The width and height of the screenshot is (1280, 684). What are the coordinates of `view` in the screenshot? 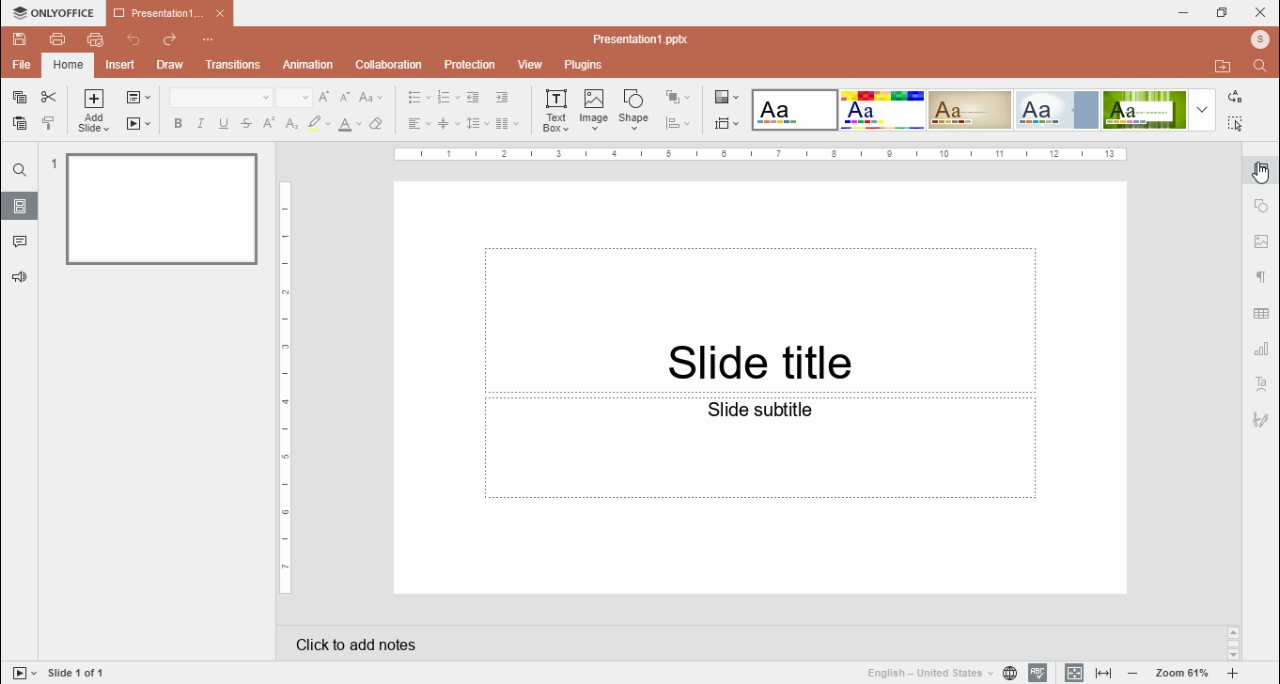 It's located at (530, 63).